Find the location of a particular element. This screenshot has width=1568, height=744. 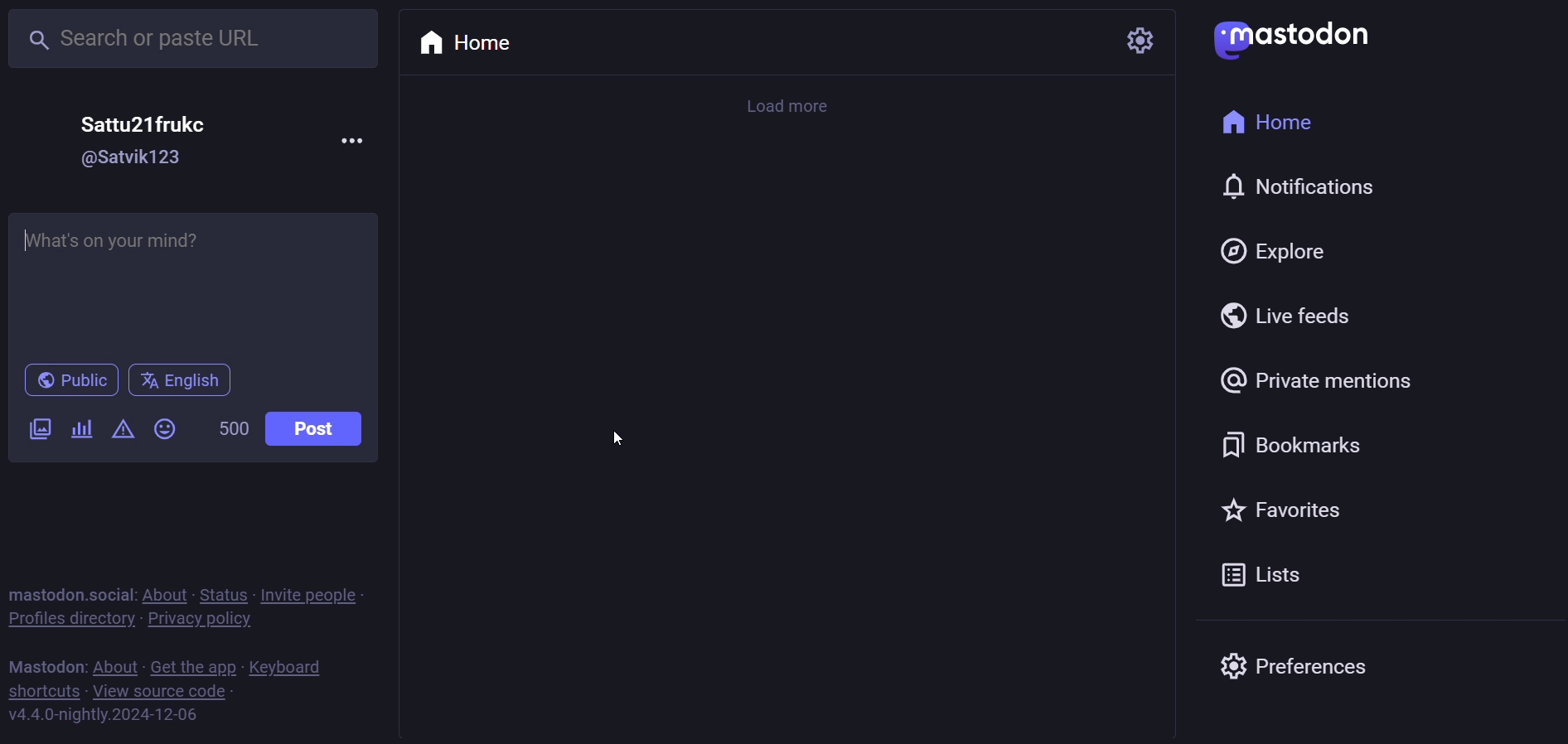

emoji is located at coordinates (162, 428).